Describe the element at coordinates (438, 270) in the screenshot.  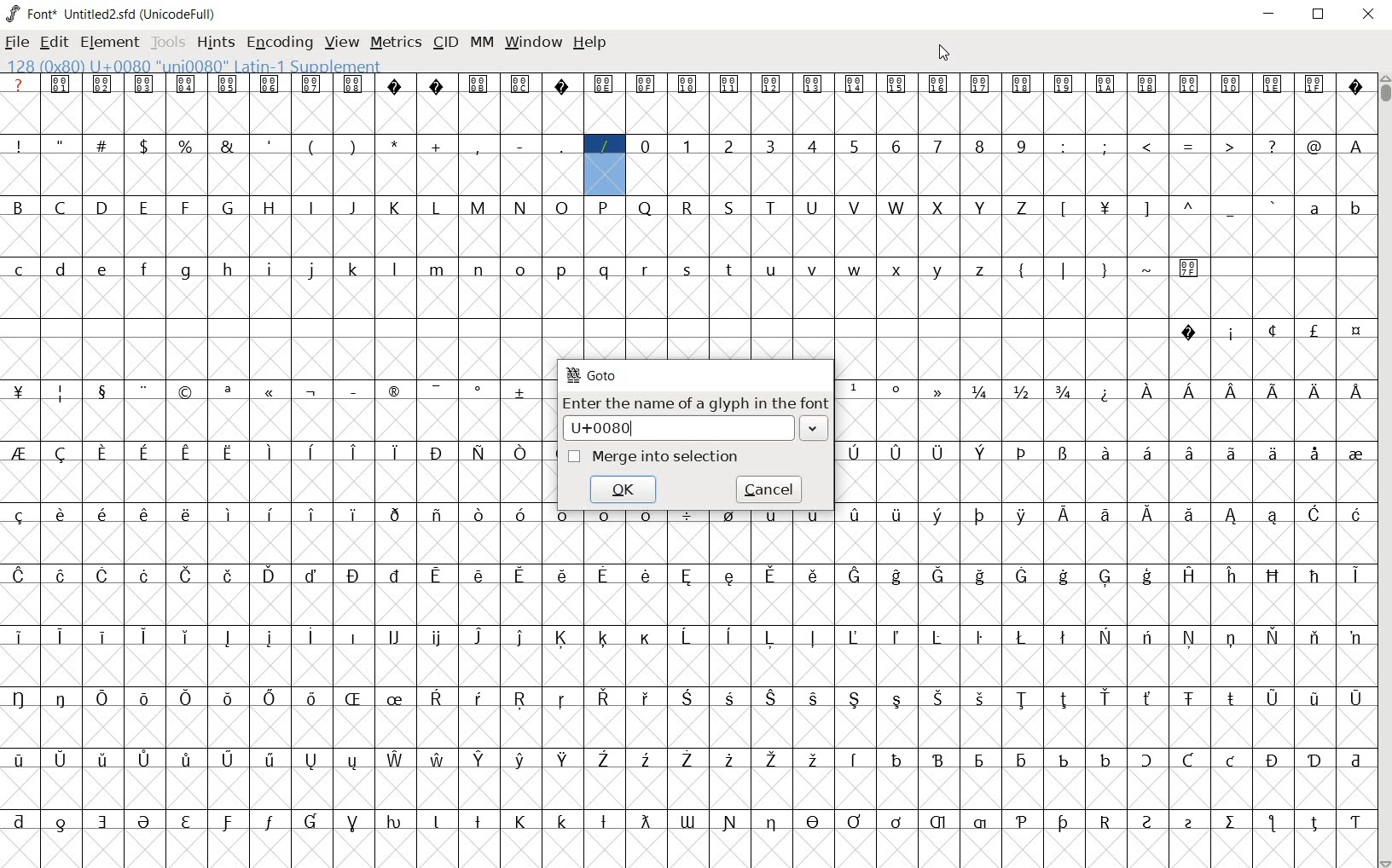
I see `glyph` at that location.